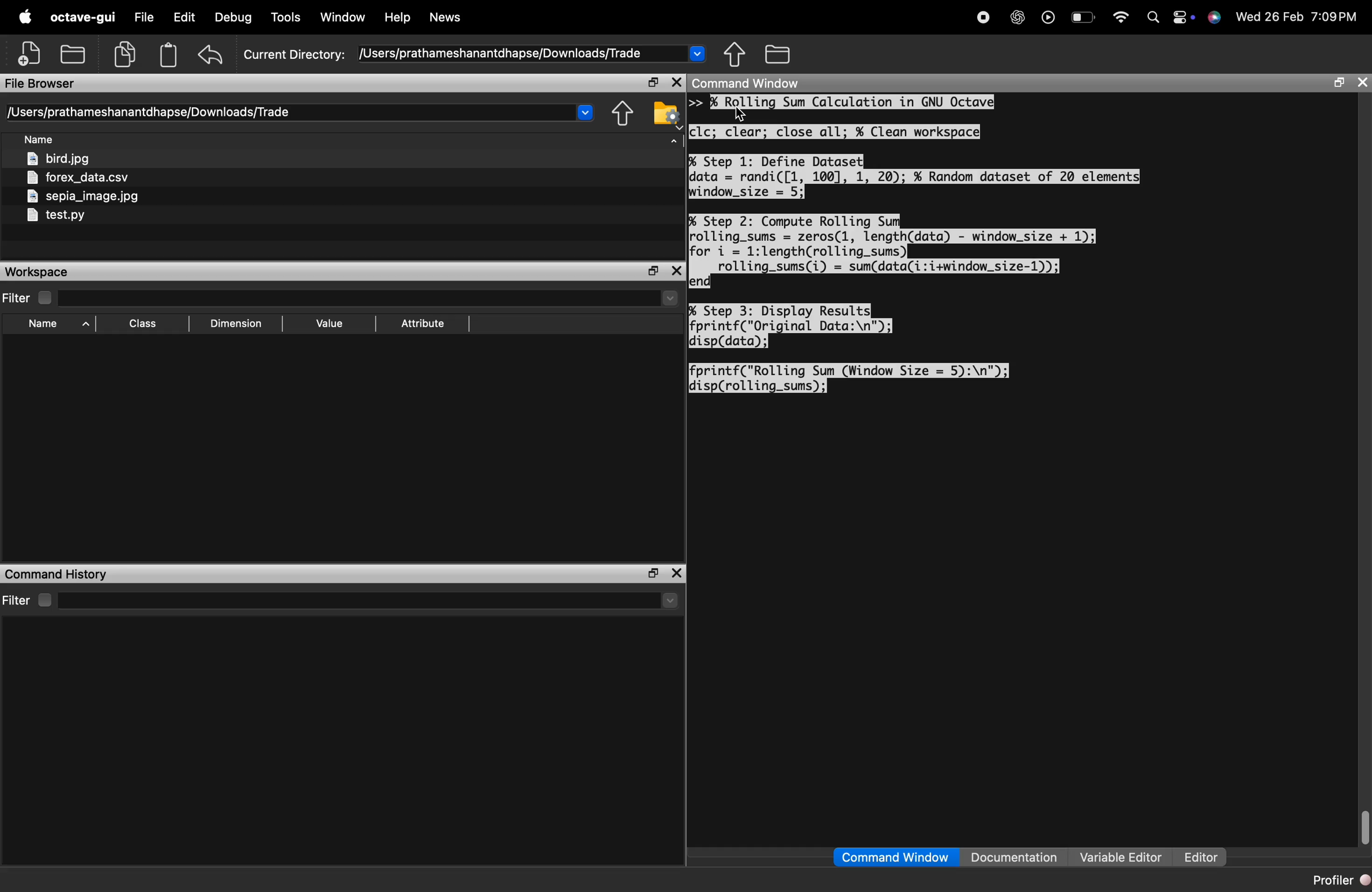 This screenshot has height=892, width=1372. I want to click on date and time, so click(1300, 19).